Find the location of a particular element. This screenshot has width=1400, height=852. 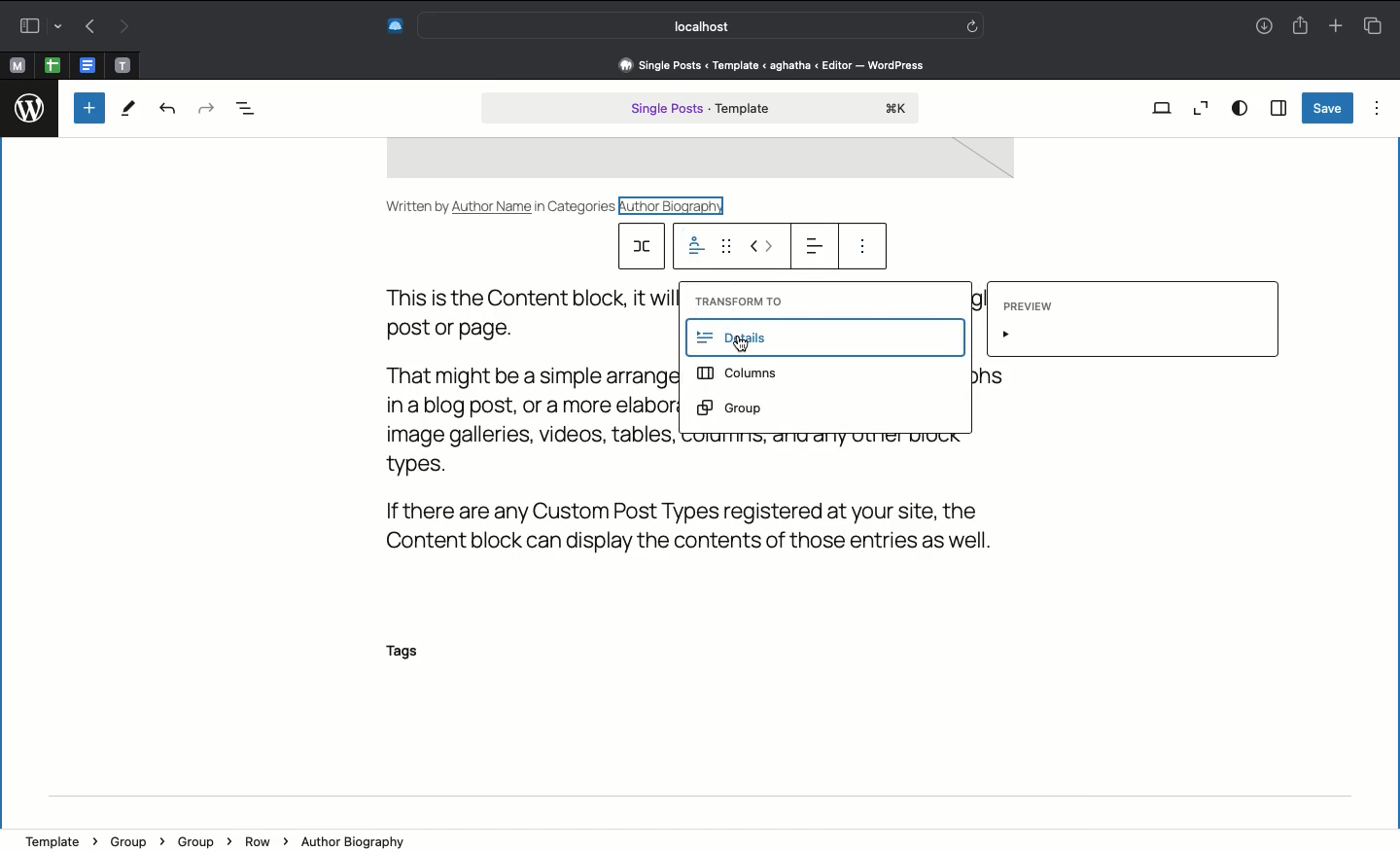

Download is located at coordinates (1261, 27).